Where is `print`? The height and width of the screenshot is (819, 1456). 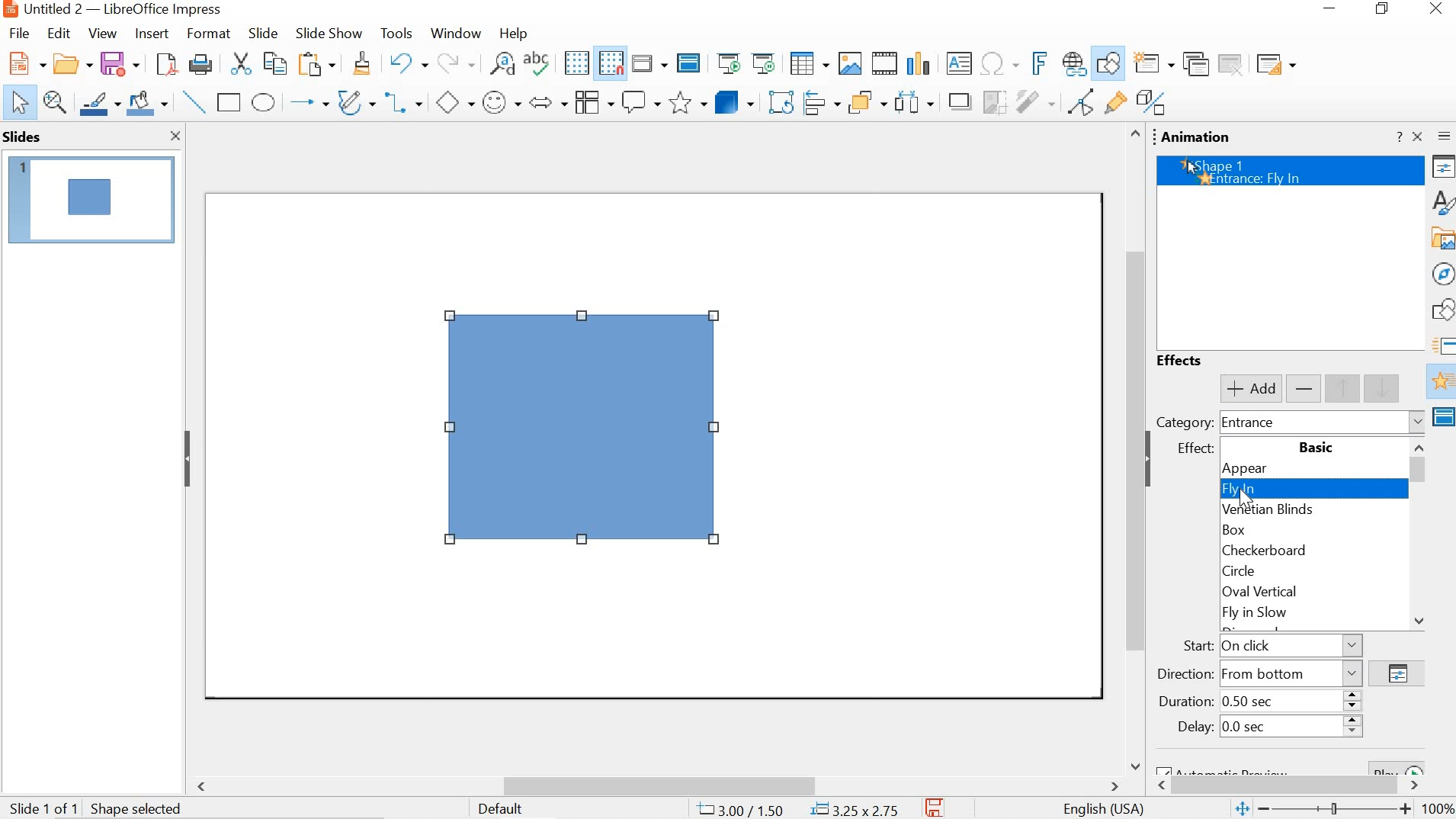 print is located at coordinates (199, 64).